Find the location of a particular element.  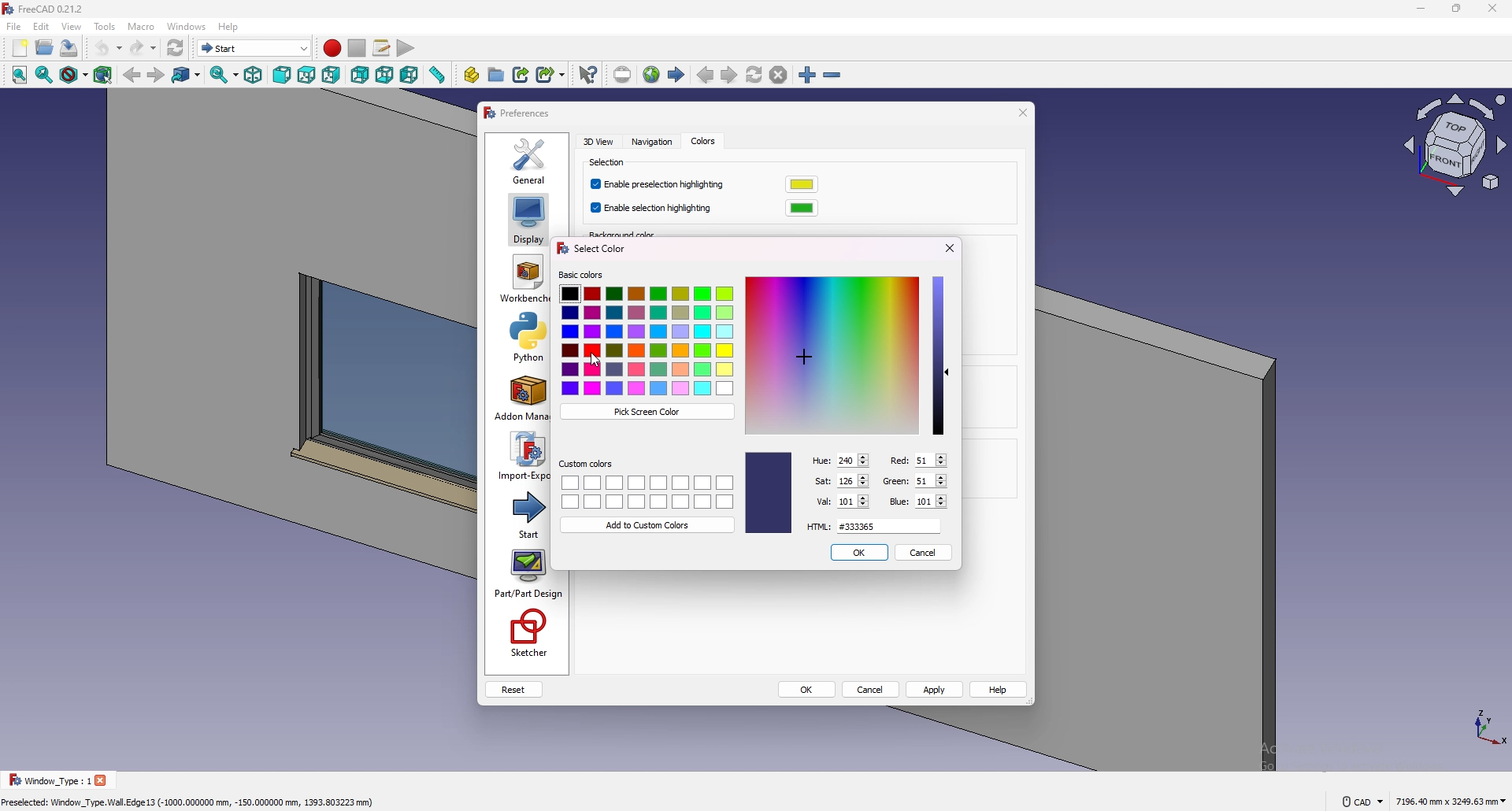

HTML. is located at coordinates (818, 526).